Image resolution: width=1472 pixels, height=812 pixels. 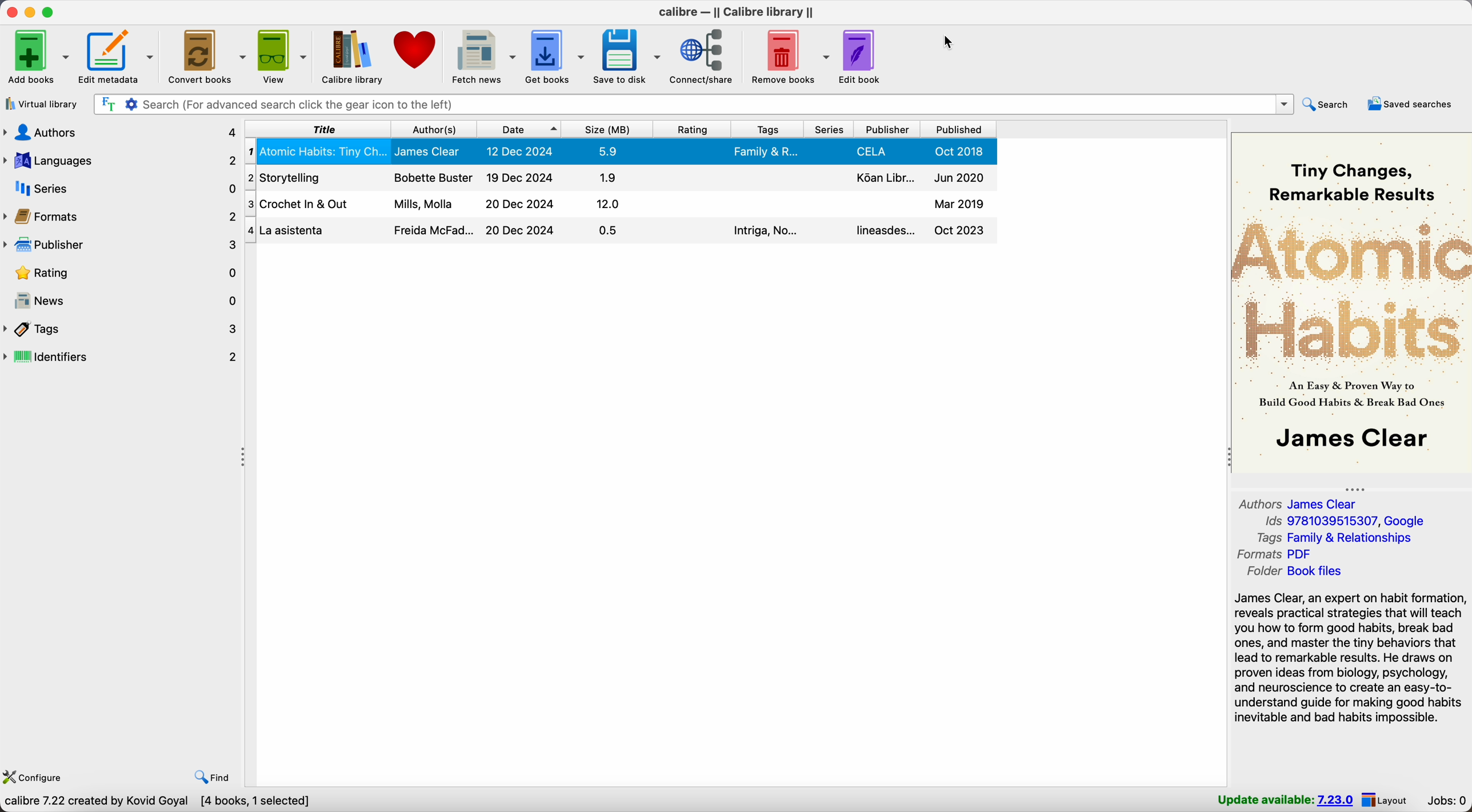 What do you see at coordinates (619, 177) in the screenshot?
I see `storytelling book details` at bounding box center [619, 177].